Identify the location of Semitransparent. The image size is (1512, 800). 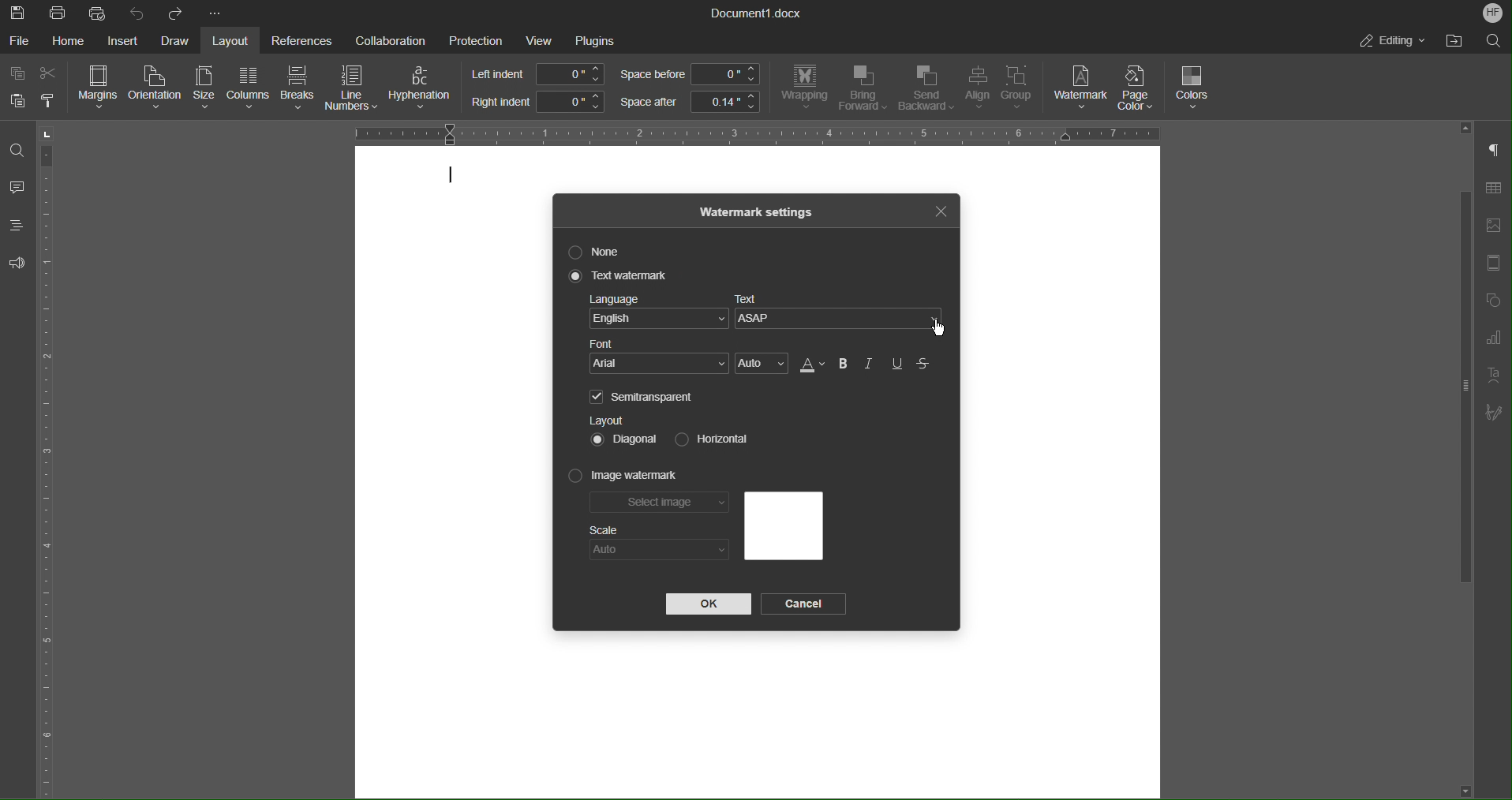
(645, 396).